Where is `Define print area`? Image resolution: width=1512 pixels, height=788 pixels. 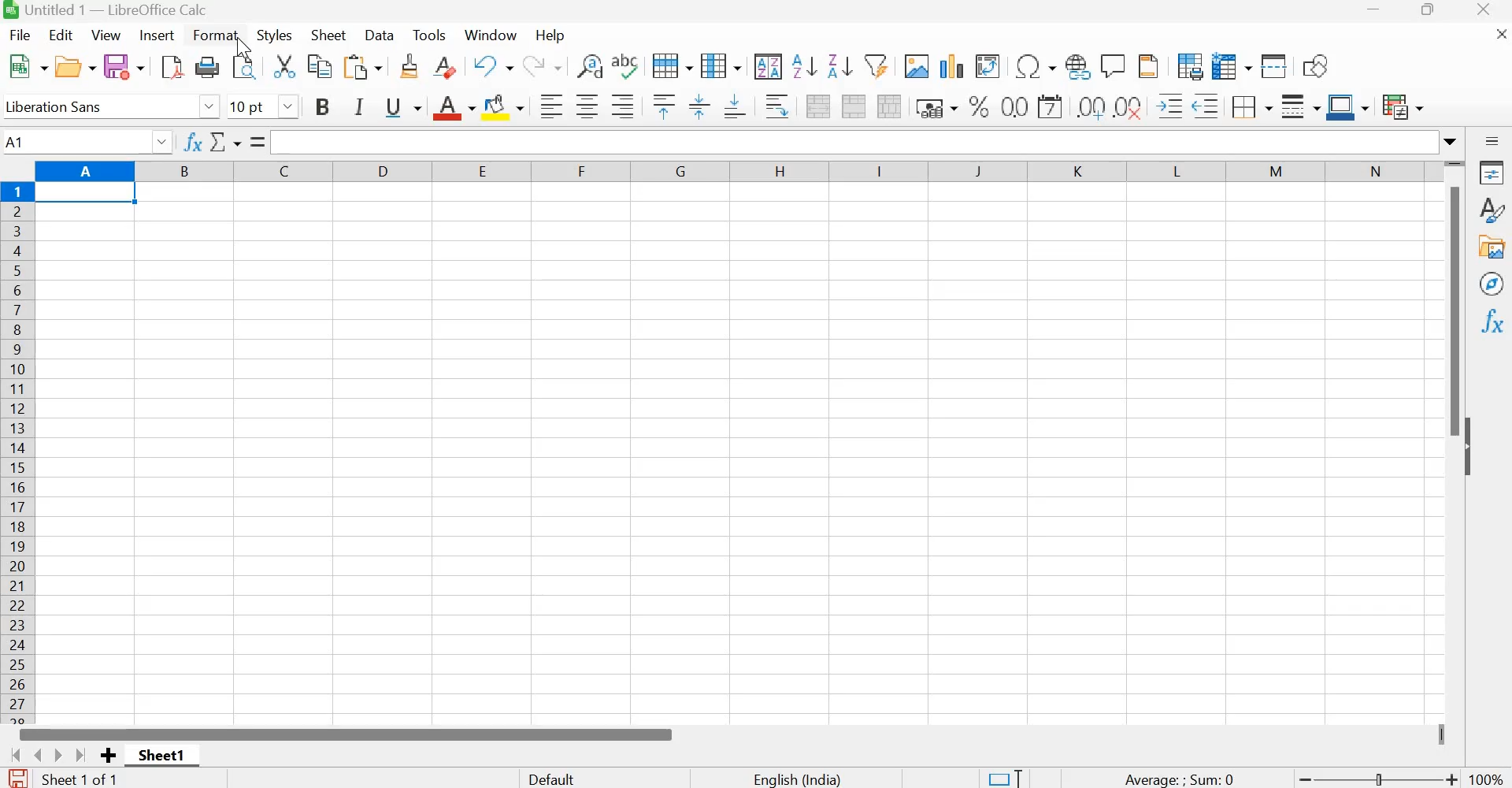 Define print area is located at coordinates (1187, 66).